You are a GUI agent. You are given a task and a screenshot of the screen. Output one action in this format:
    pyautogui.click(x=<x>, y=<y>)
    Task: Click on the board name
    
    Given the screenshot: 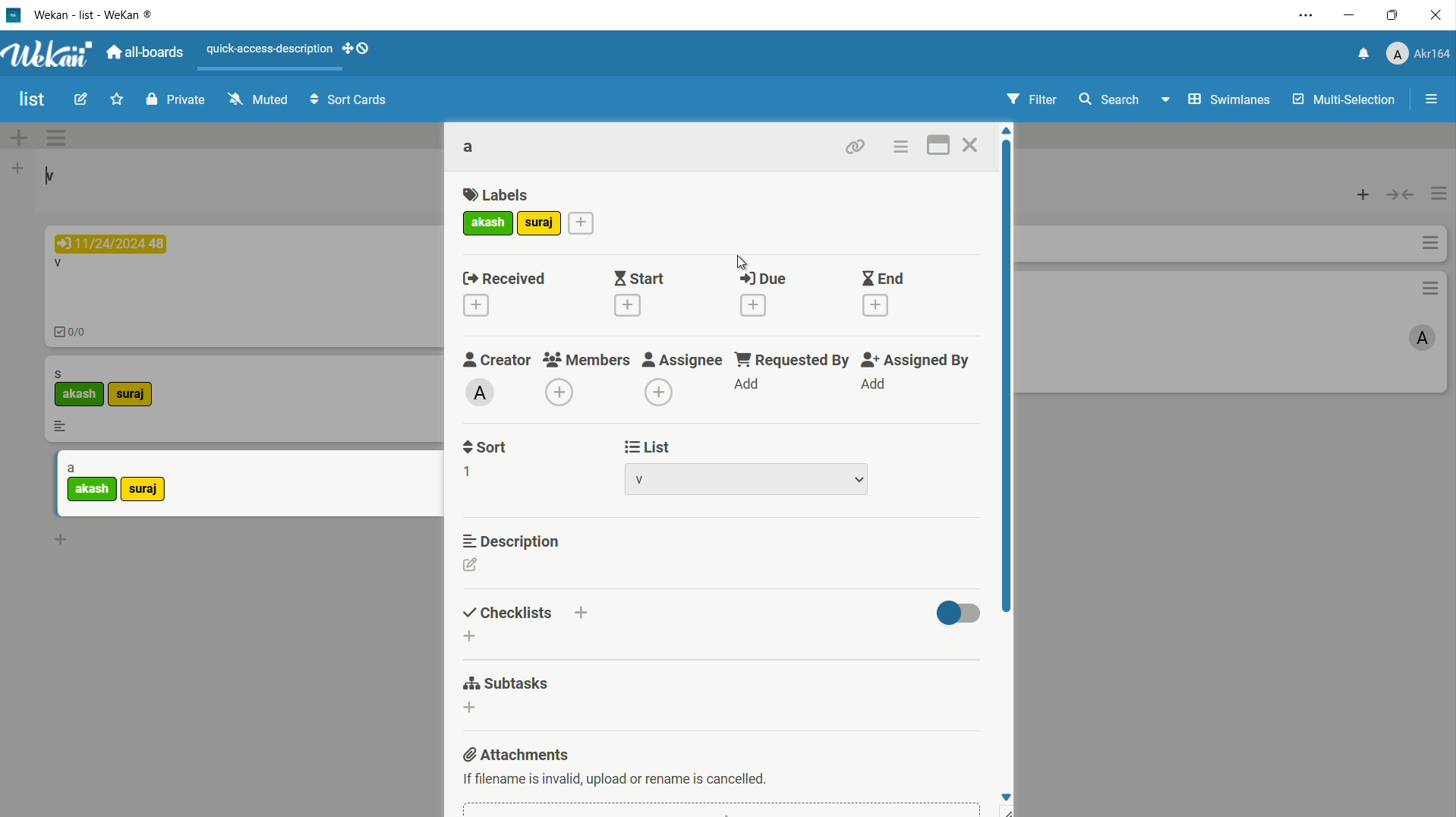 What is the action you would take?
    pyautogui.click(x=30, y=99)
    